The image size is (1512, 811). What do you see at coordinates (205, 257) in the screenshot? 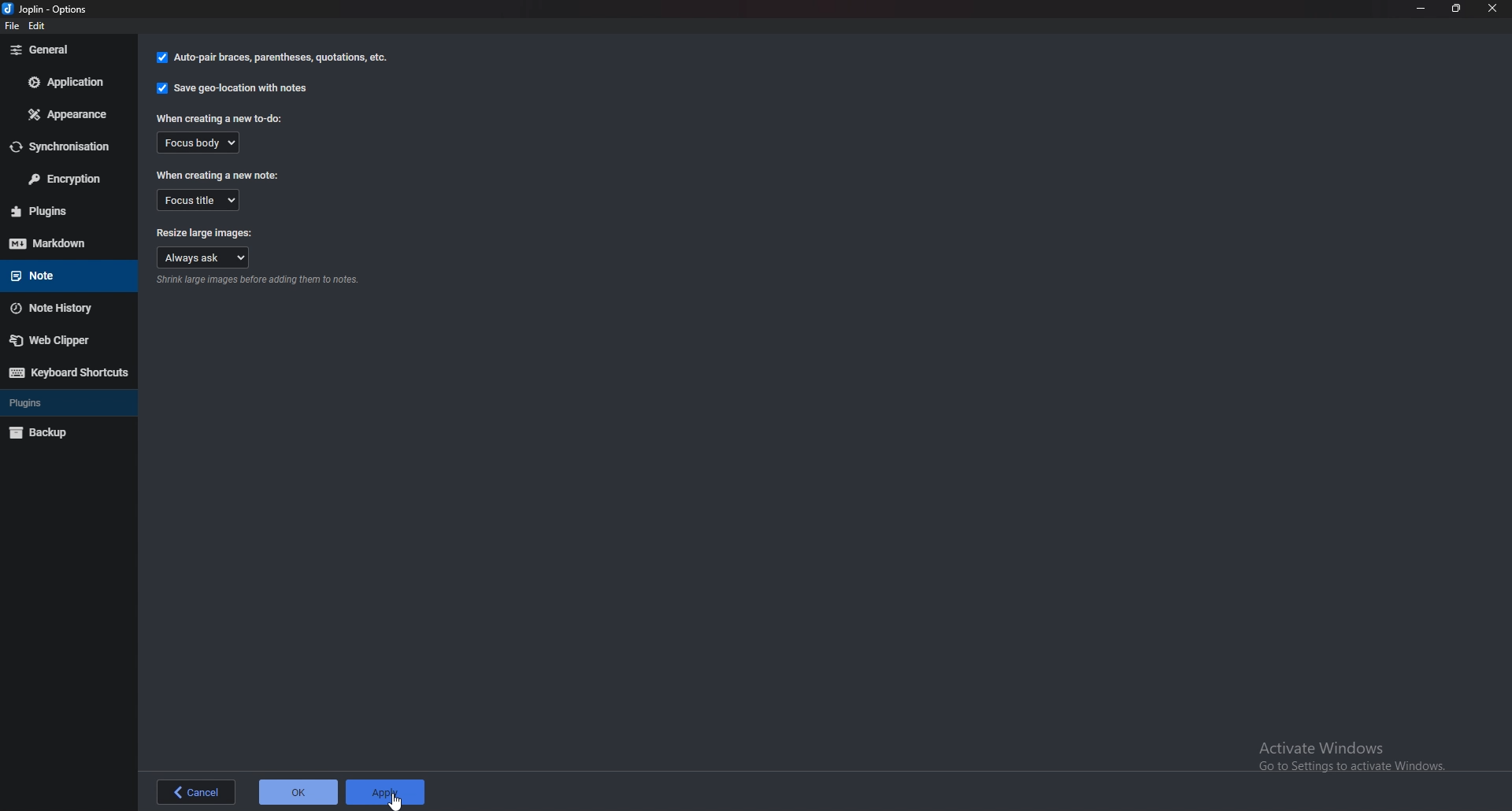
I see `Always ask` at bounding box center [205, 257].